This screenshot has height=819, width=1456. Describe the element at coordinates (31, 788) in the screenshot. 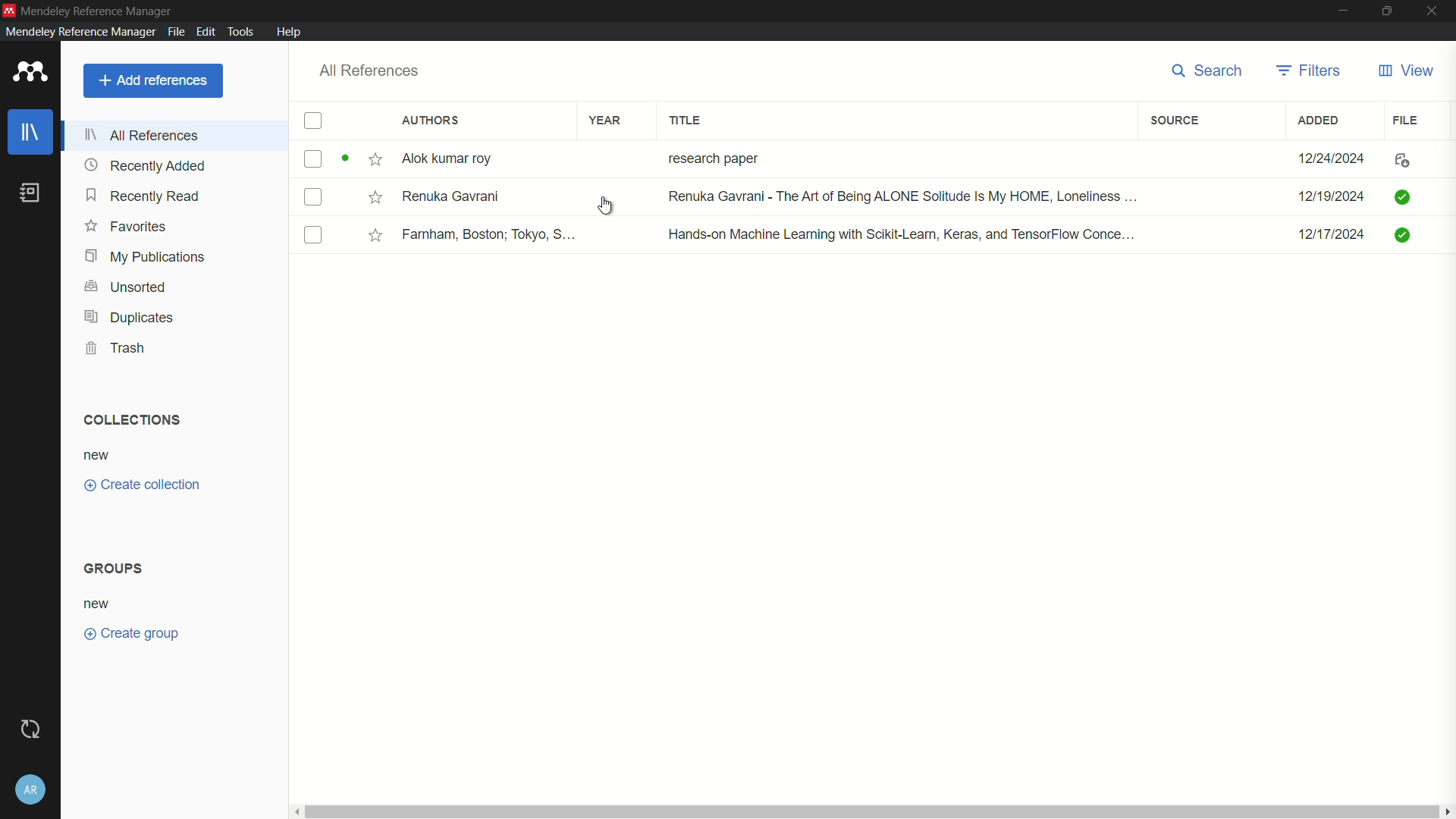

I see `account and help` at that location.